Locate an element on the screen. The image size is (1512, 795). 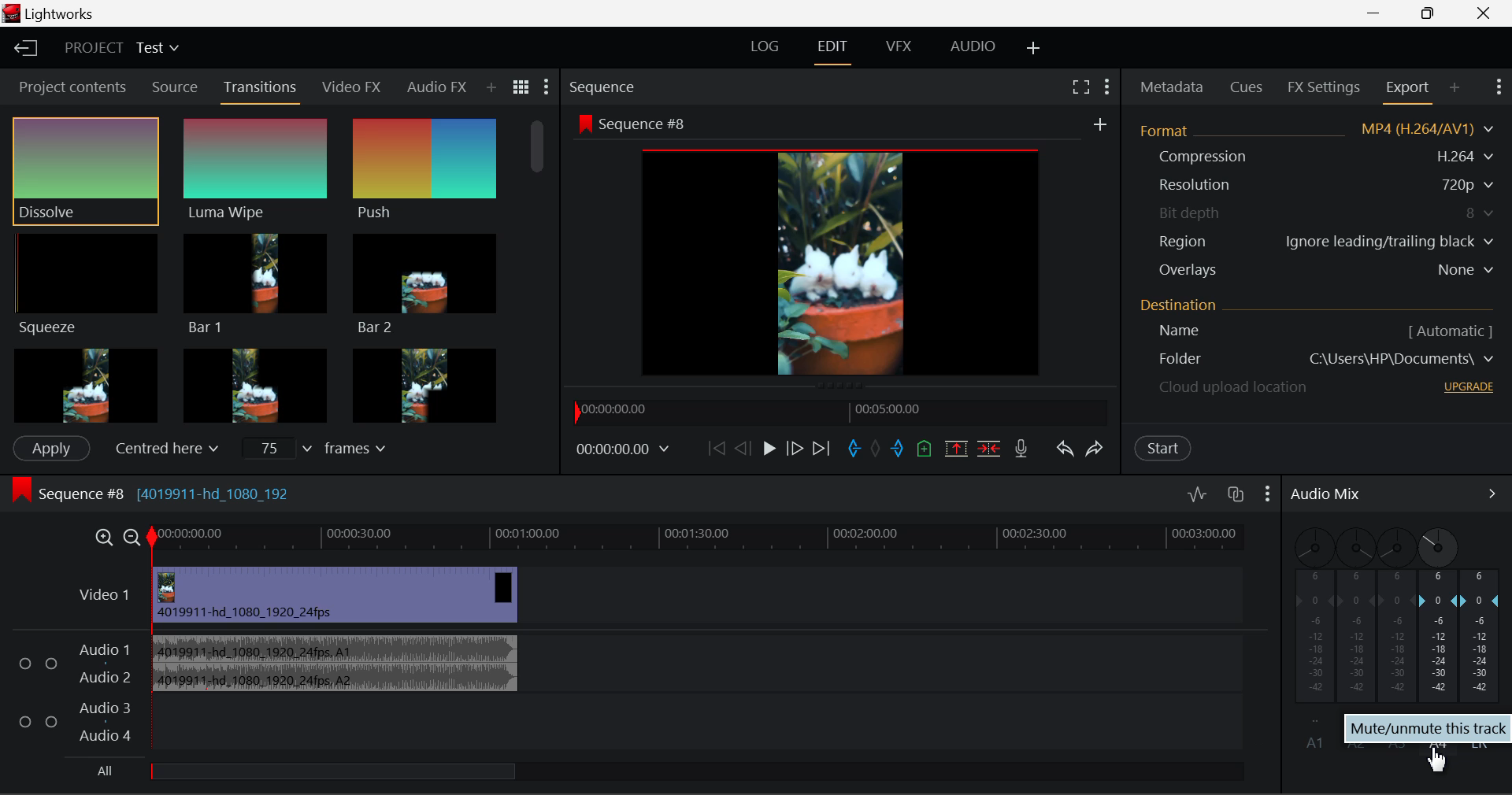
Format is located at coordinates (1315, 131).